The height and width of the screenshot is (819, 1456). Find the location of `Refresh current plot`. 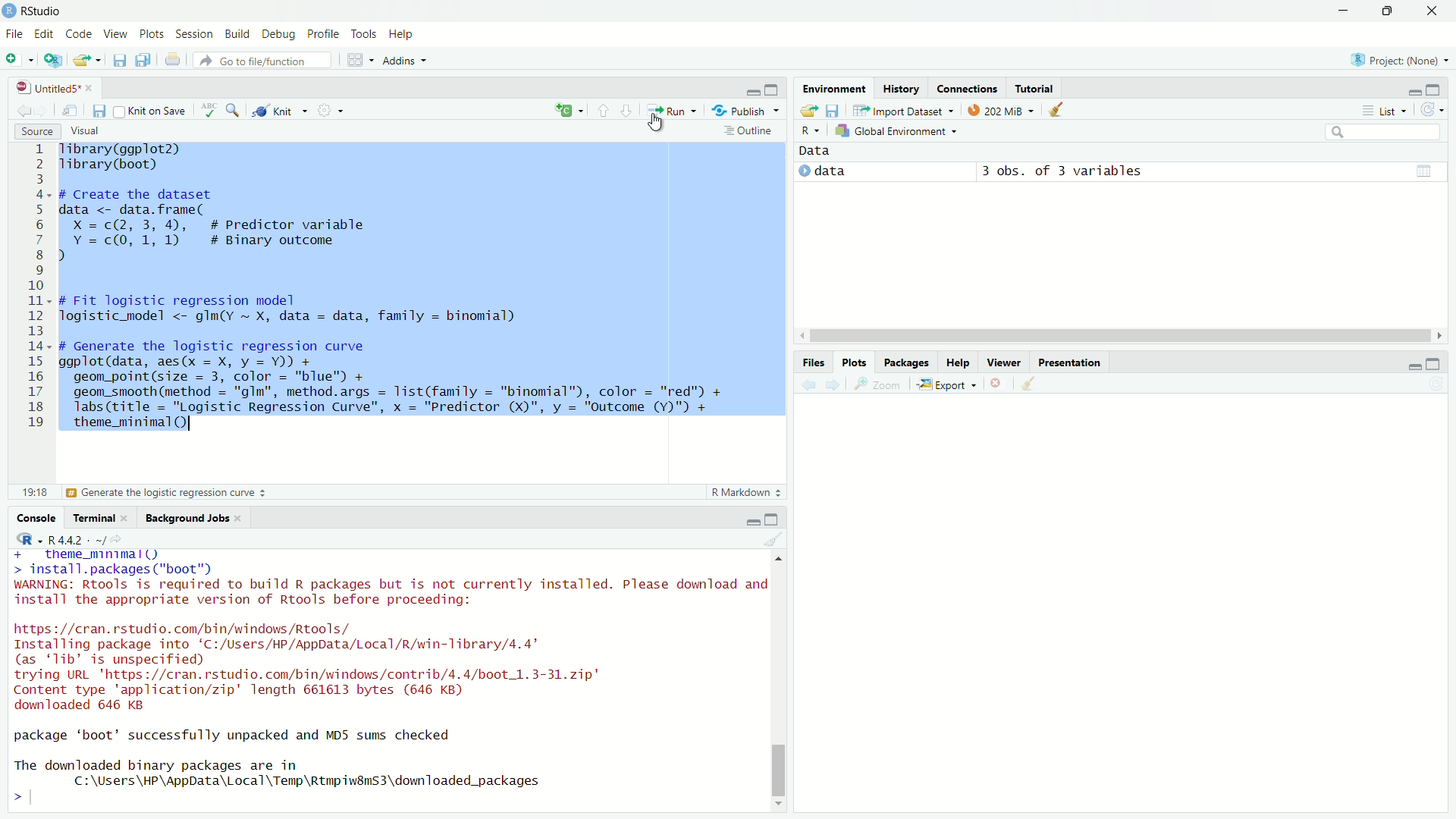

Refresh current plot is located at coordinates (1436, 384).